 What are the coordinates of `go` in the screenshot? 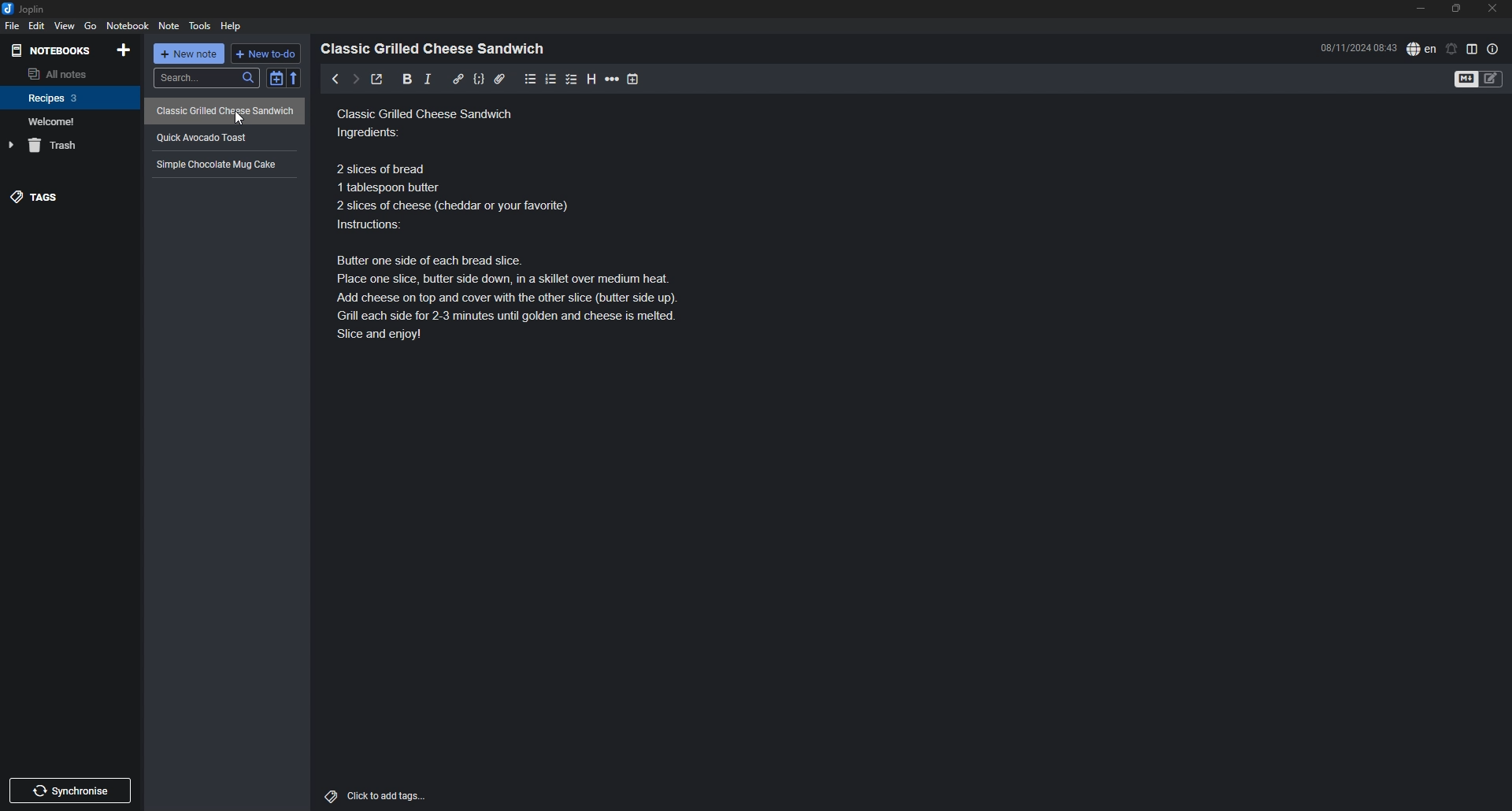 It's located at (91, 25).